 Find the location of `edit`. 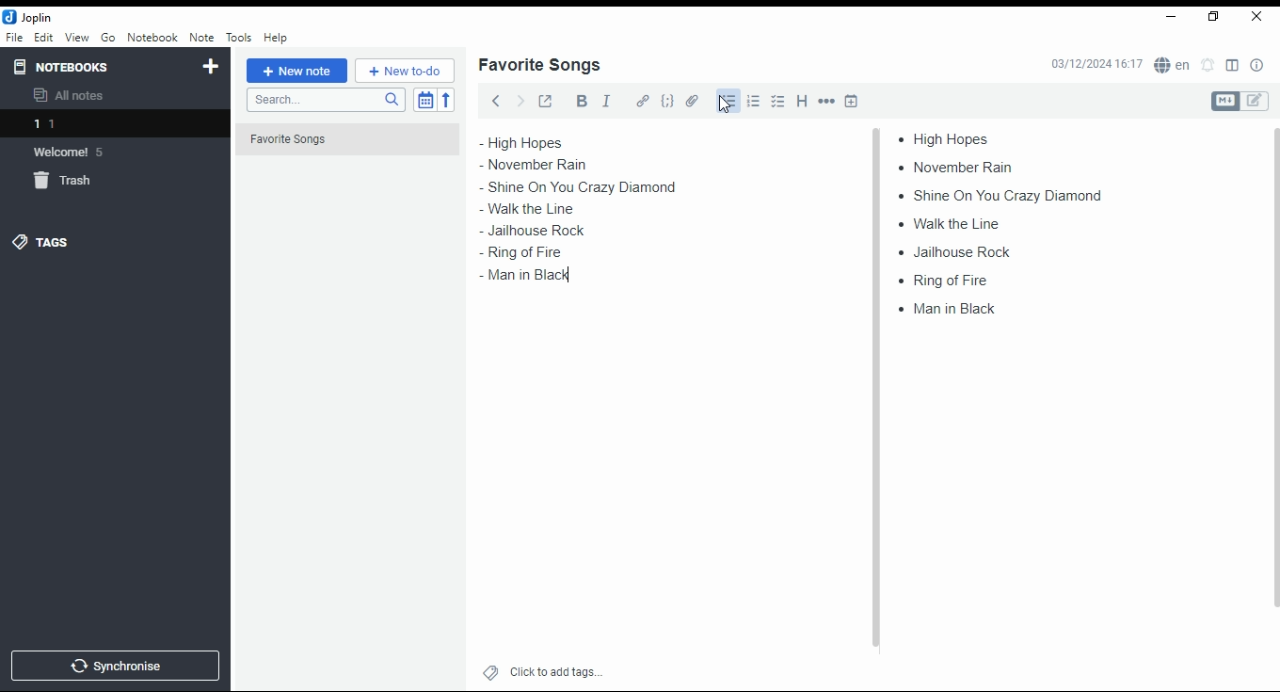

edit is located at coordinates (43, 36).